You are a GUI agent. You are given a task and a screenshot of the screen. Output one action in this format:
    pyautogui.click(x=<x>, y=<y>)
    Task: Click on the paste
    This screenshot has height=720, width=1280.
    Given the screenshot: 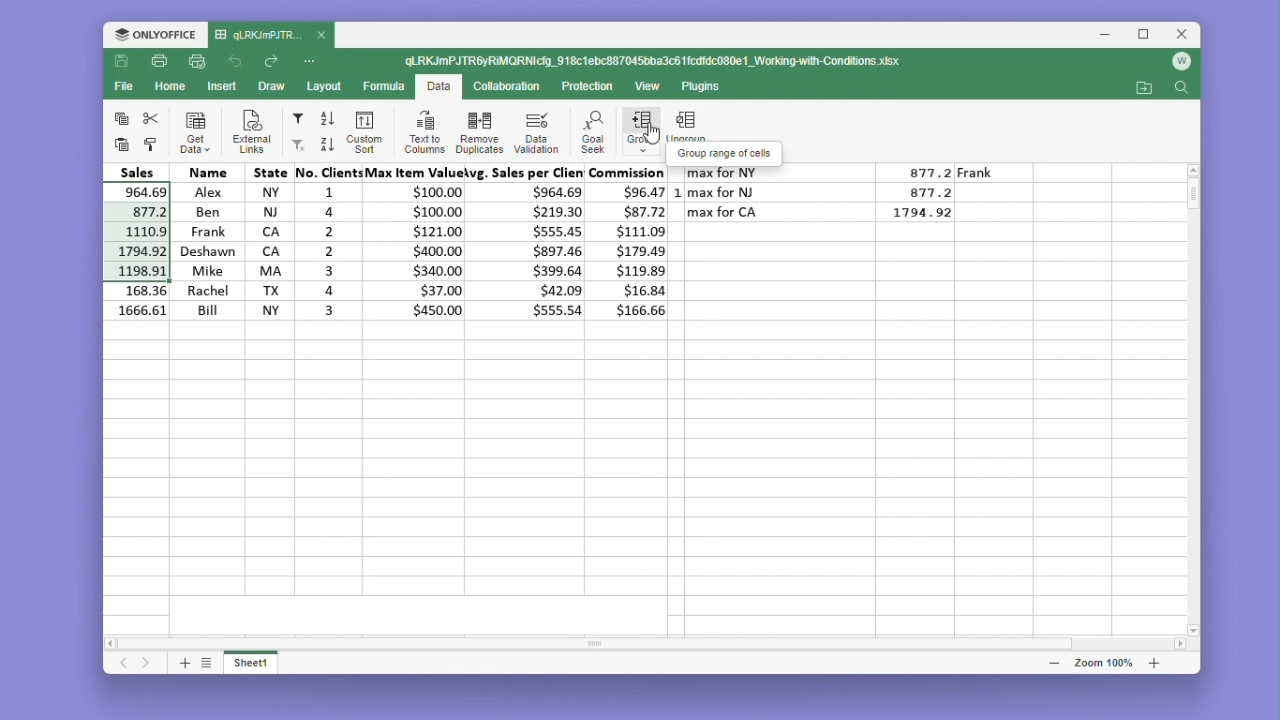 What is the action you would take?
    pyautogui.click(x=119, y=144)
    